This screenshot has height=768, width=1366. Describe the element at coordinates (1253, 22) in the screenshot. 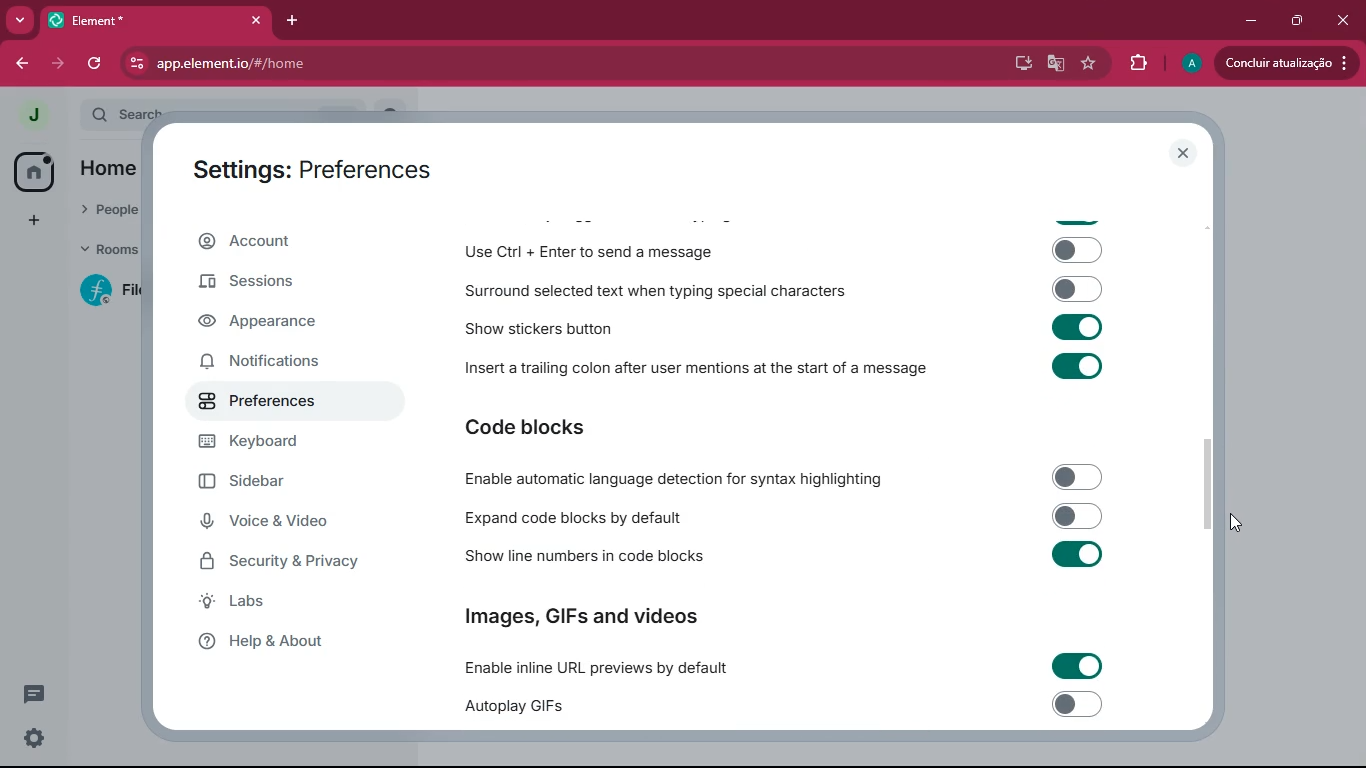

I see `minimize` at that location.